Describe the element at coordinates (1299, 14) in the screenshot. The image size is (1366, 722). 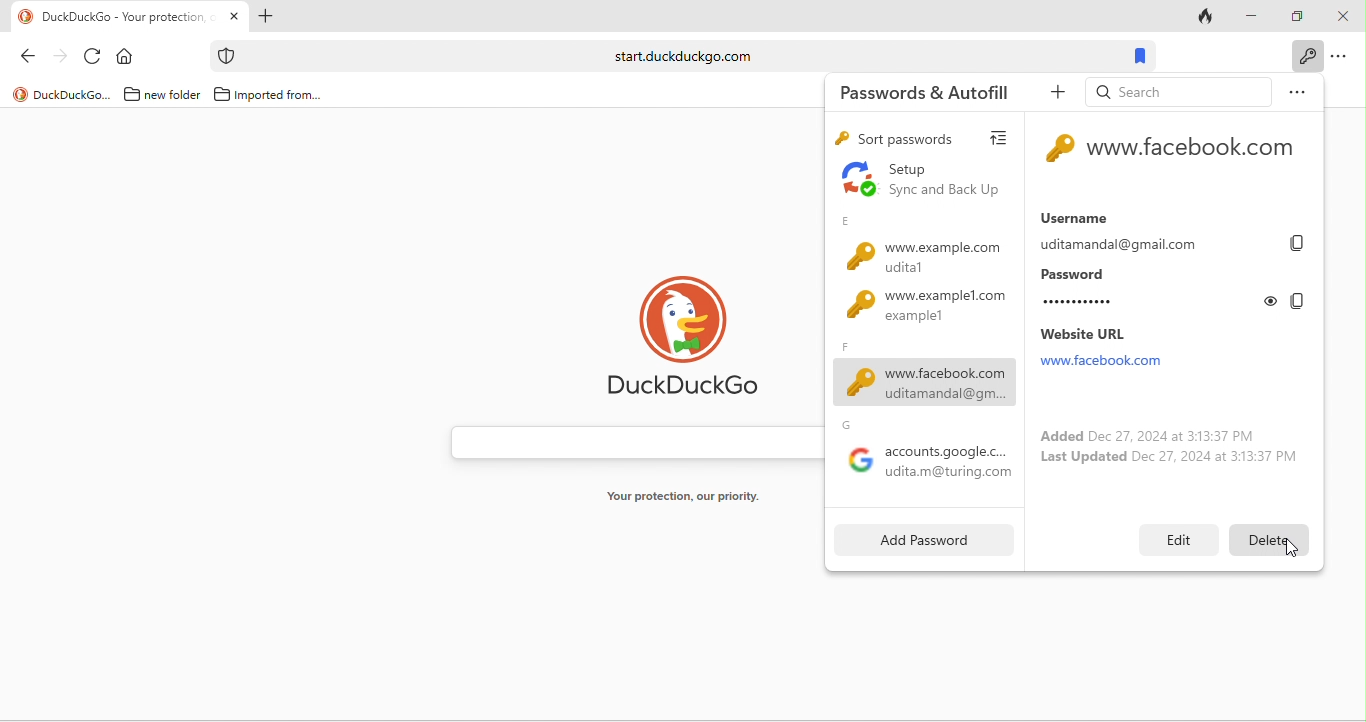
I see `maximize` at that location.